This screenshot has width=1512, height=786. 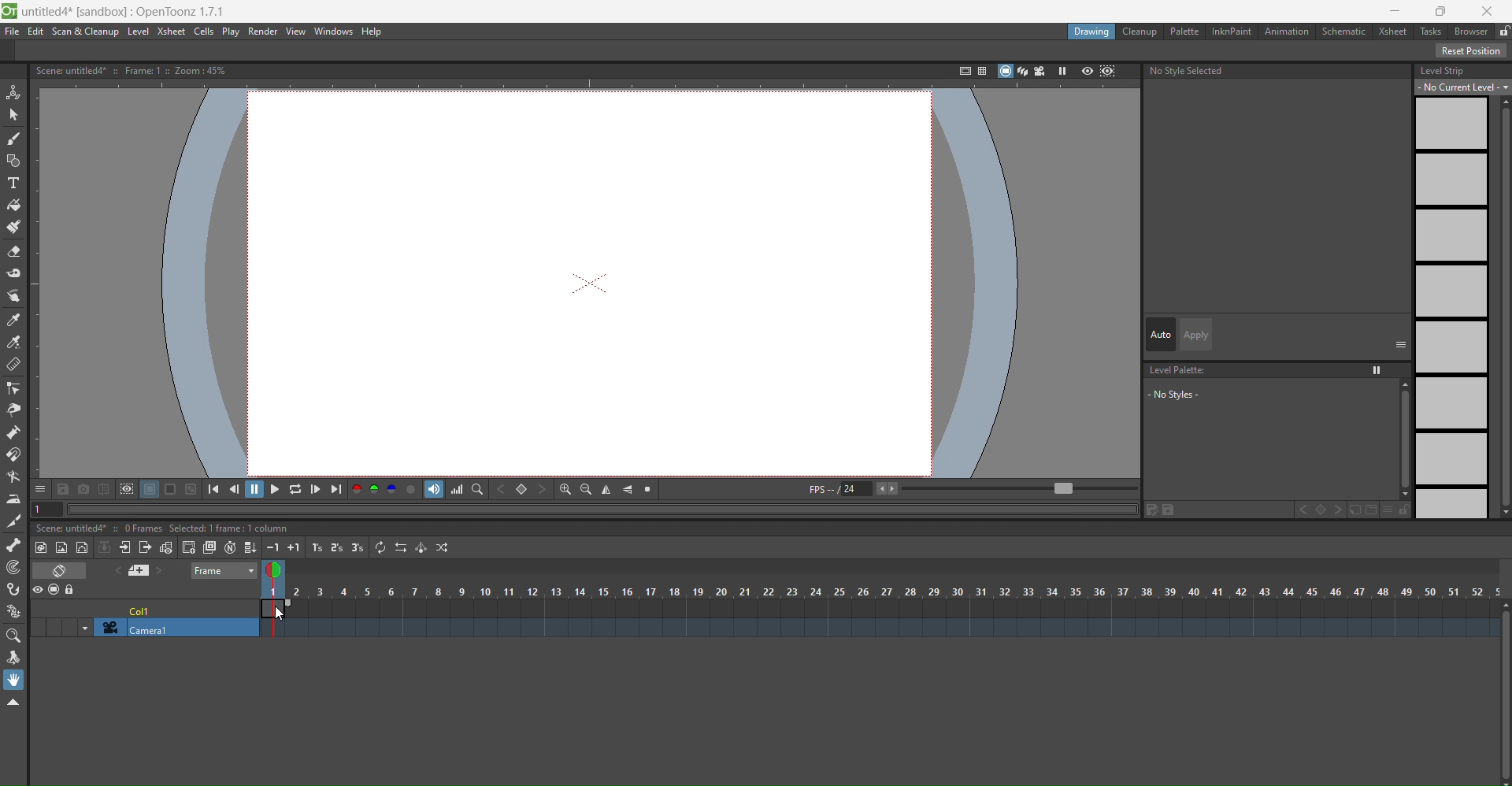 What do you see at coordinates (1503, 307) in the screenshot?
I see `Scroll bar` at bounding box center [1503, 307].